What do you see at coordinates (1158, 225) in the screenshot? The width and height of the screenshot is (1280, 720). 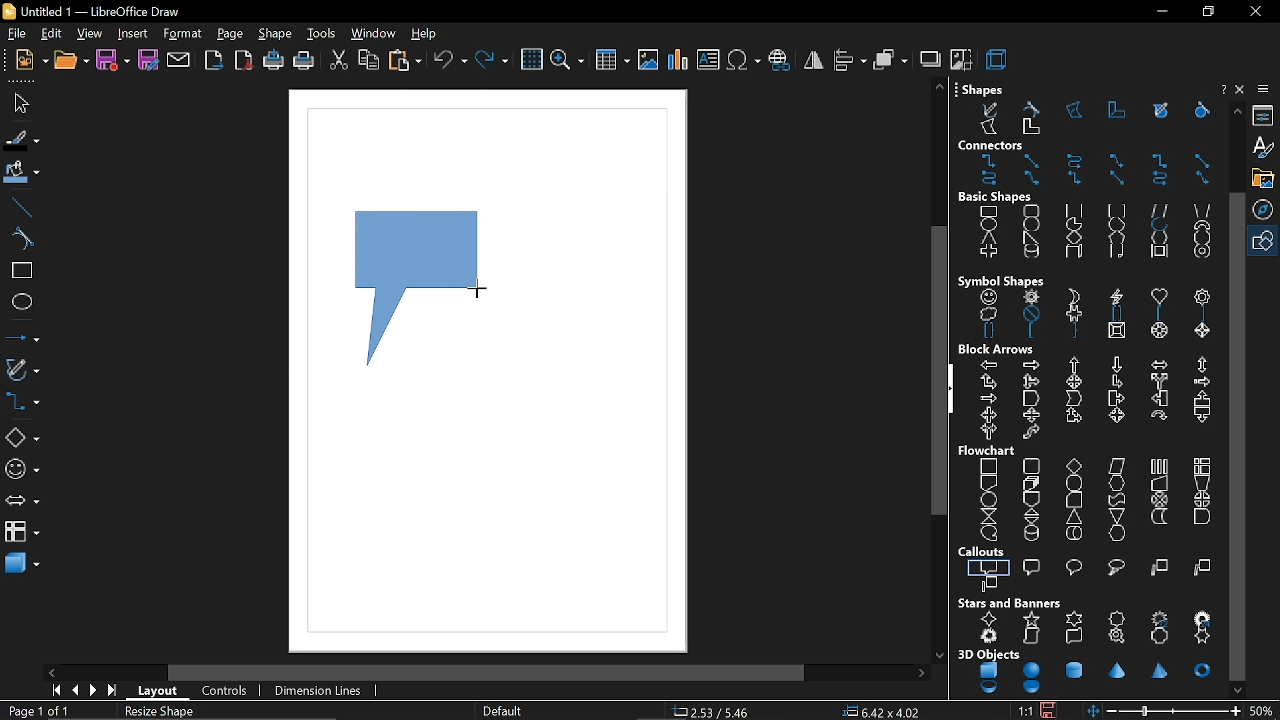 I see `arc` at bounding box center [1158, 225].